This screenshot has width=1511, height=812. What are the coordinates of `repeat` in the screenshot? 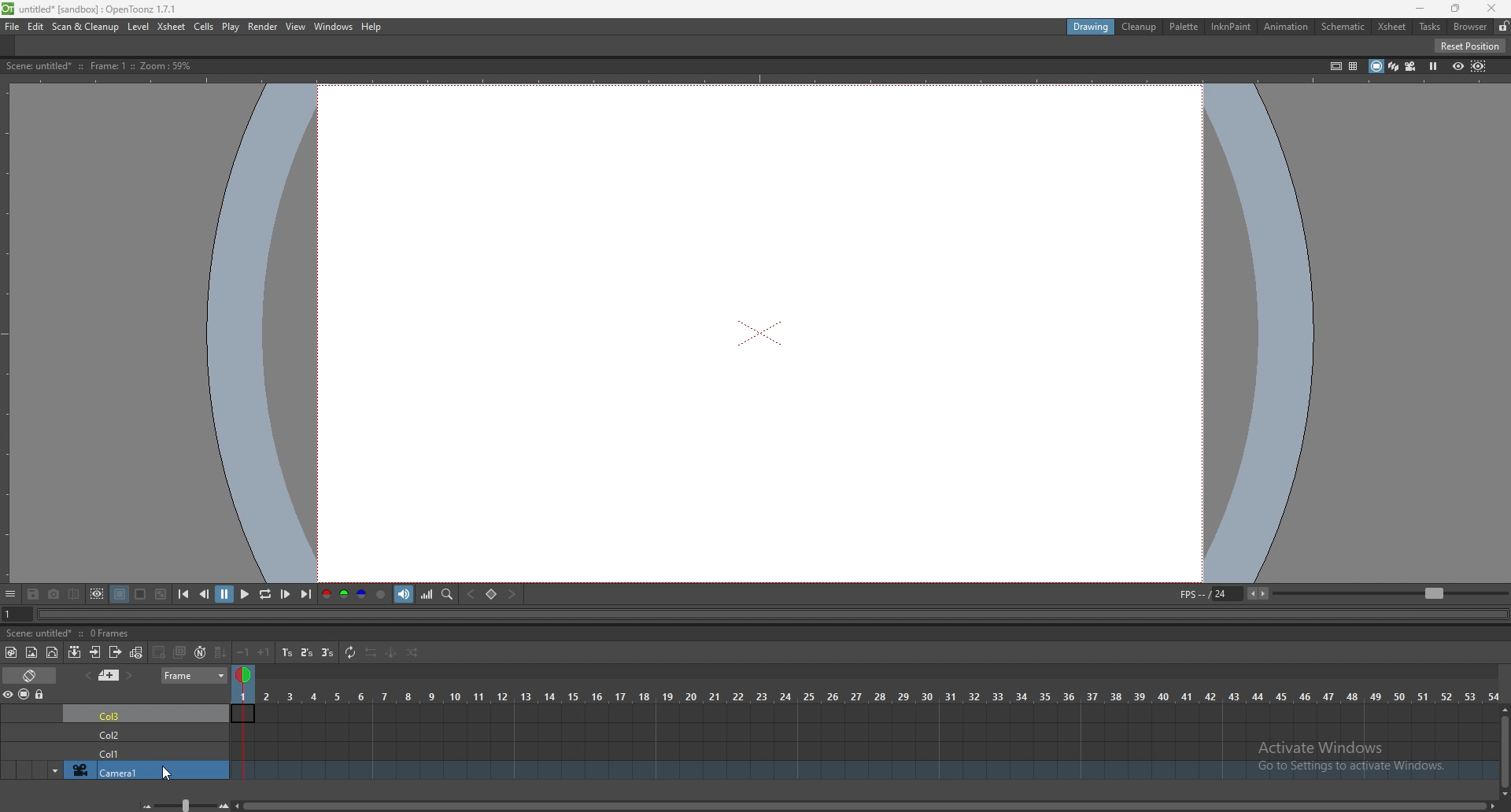 It's located at (349, 653).